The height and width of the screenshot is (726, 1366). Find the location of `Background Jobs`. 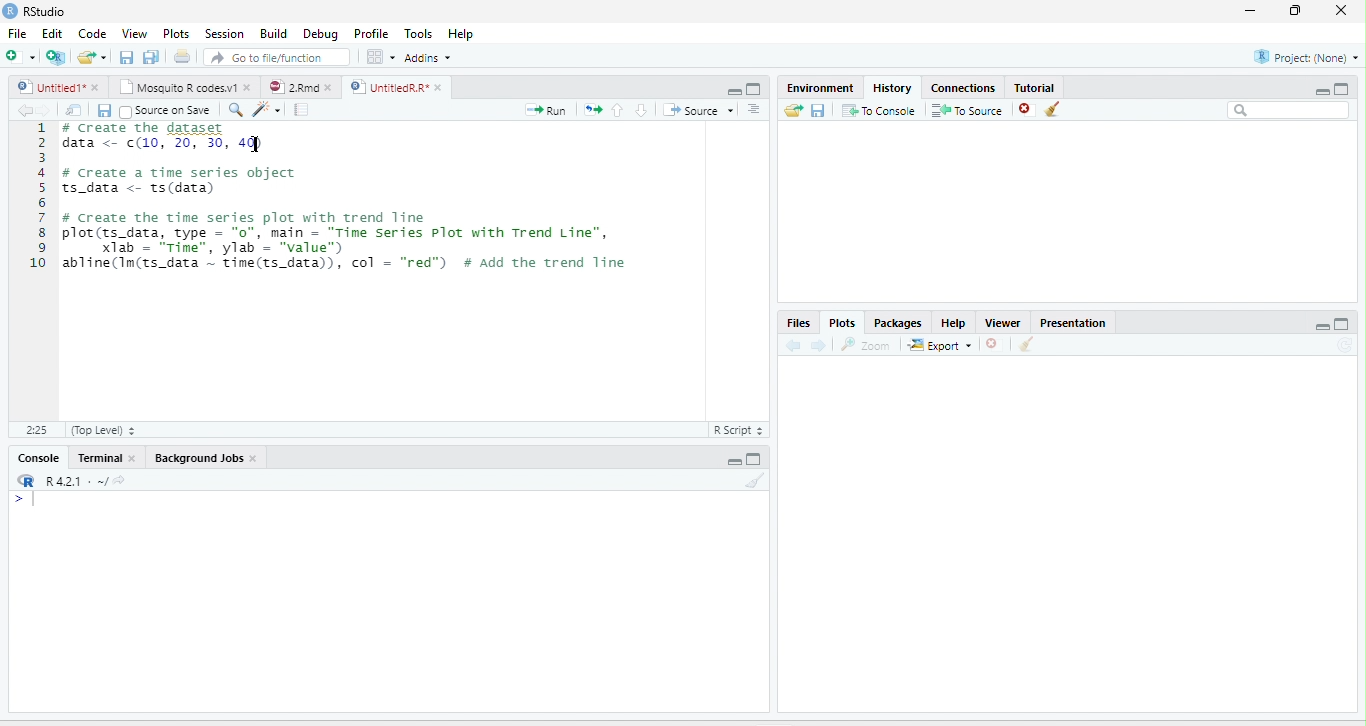

Background Jobs is located at coordinates (197, 458).